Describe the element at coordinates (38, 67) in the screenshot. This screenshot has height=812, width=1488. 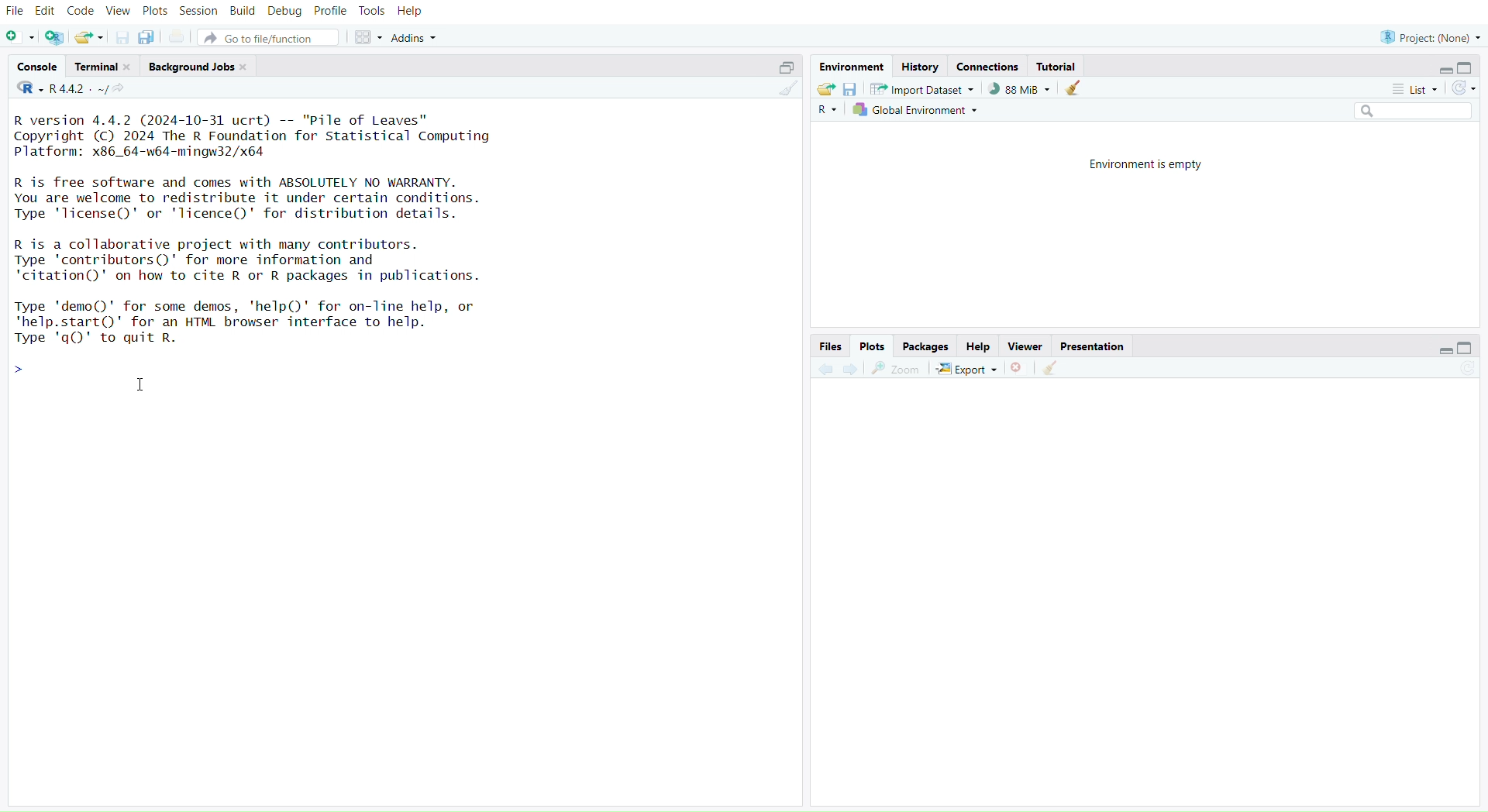
I see `console` at that location.